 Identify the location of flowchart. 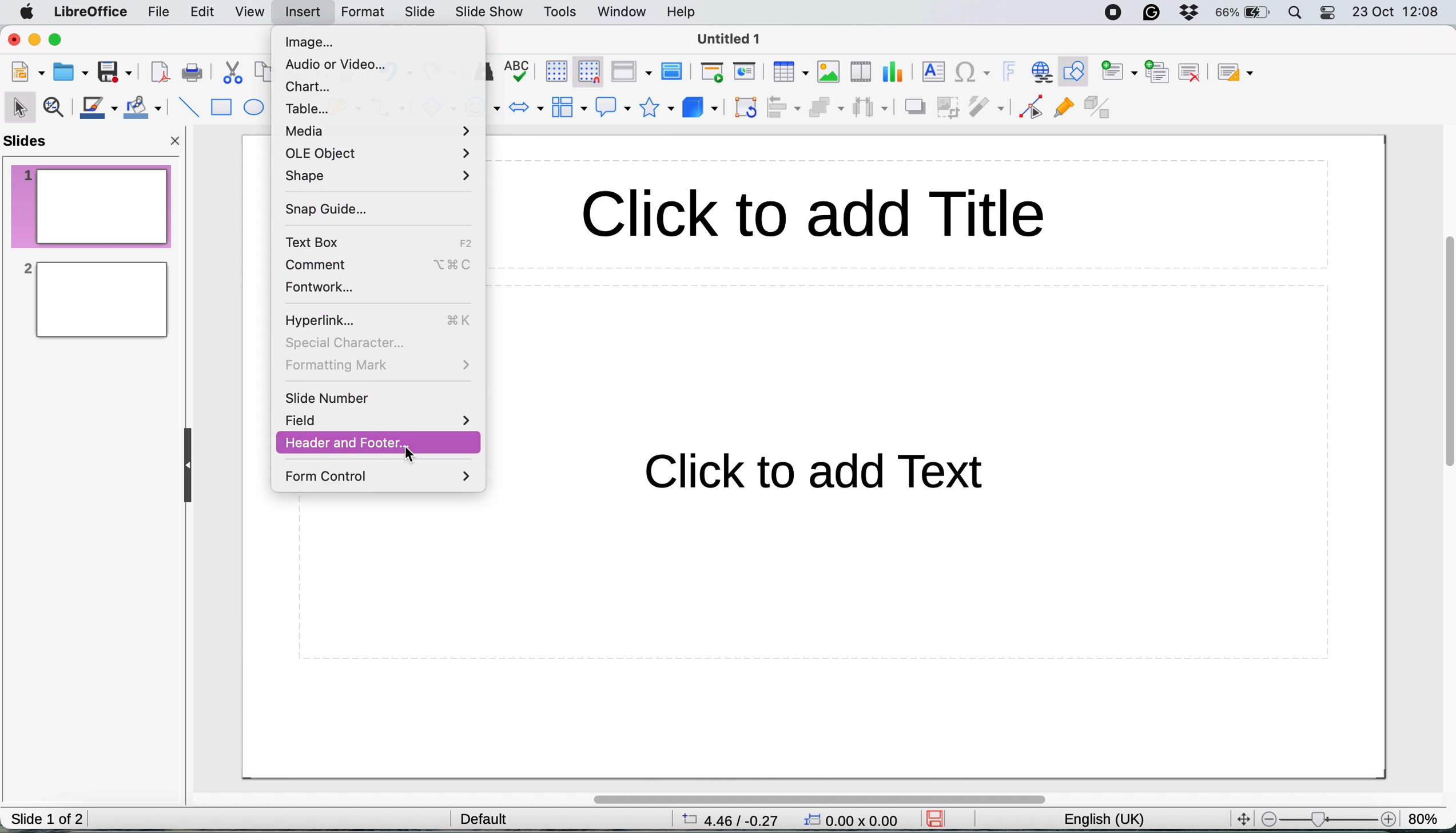
(568, 107).